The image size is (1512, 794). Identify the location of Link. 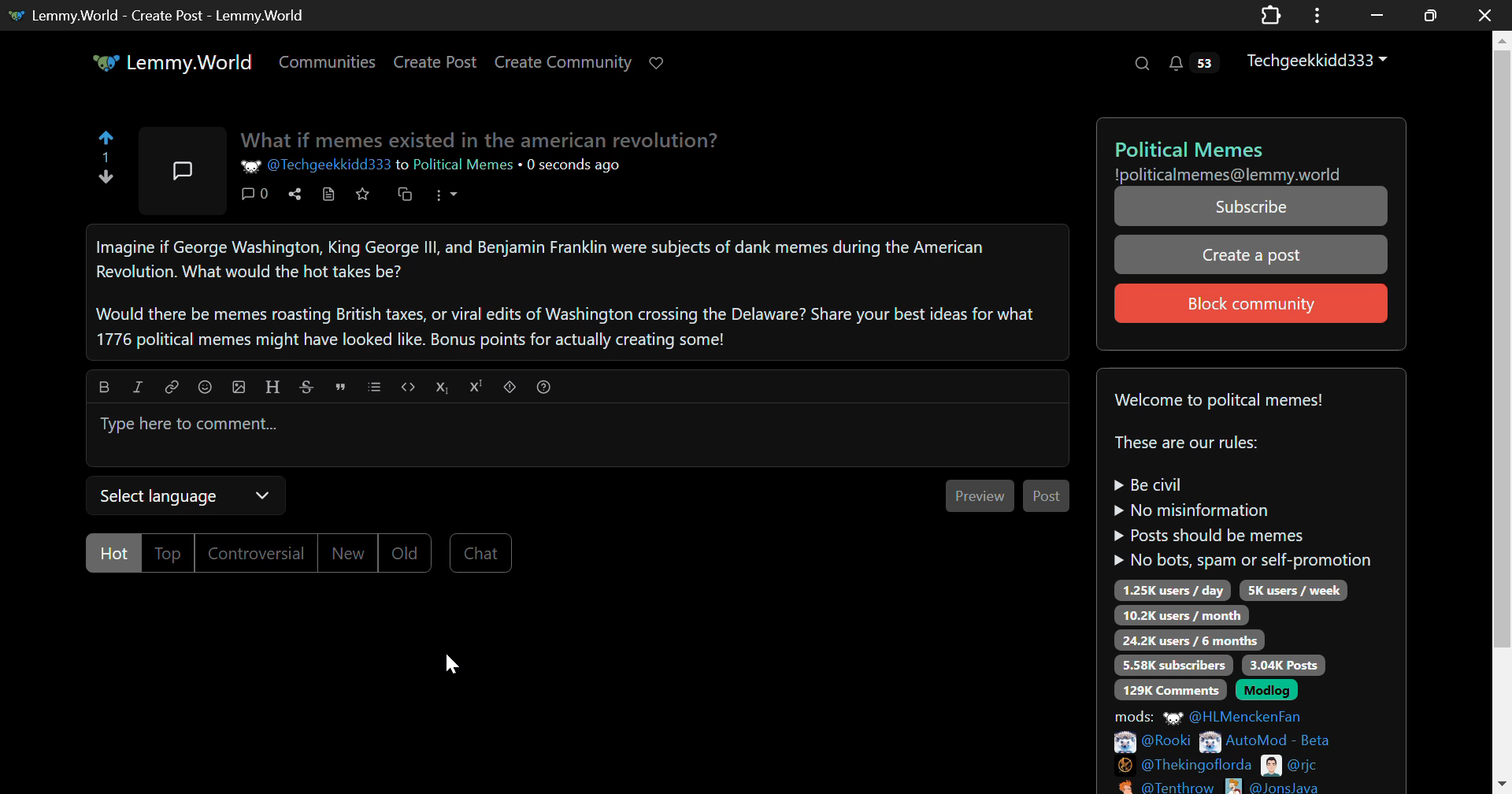
(172, 386).